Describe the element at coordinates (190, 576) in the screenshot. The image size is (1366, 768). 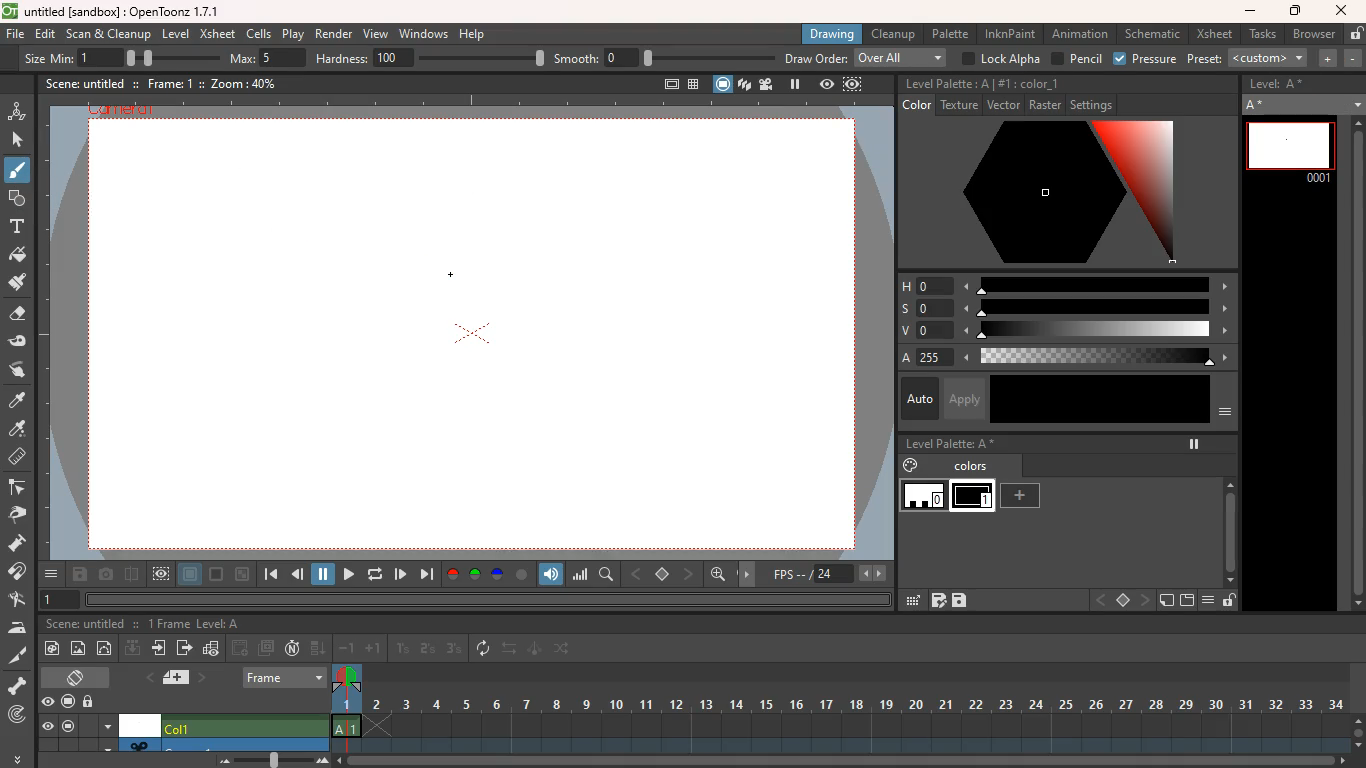
I see `layer` at that location.